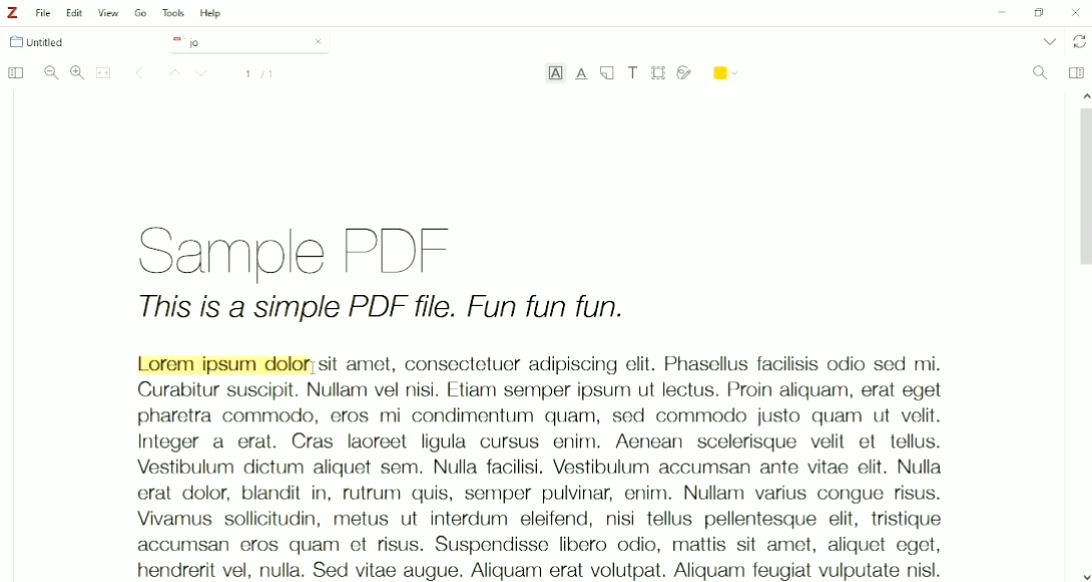  I want to click on cursor, so click(314, 368).